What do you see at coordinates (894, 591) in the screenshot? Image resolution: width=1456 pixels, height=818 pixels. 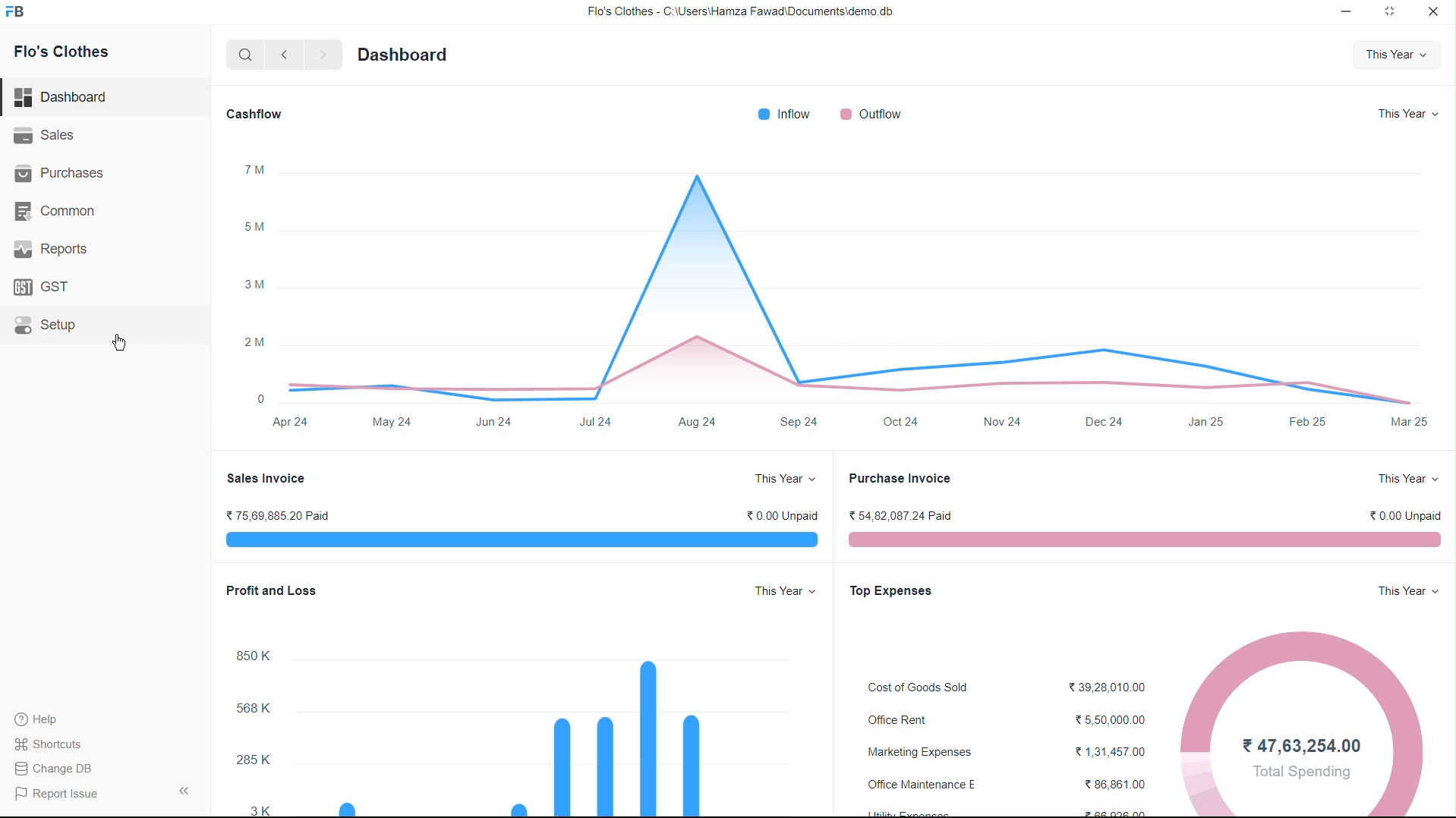 I see `Top expenses` at bounding box center [894, 591].